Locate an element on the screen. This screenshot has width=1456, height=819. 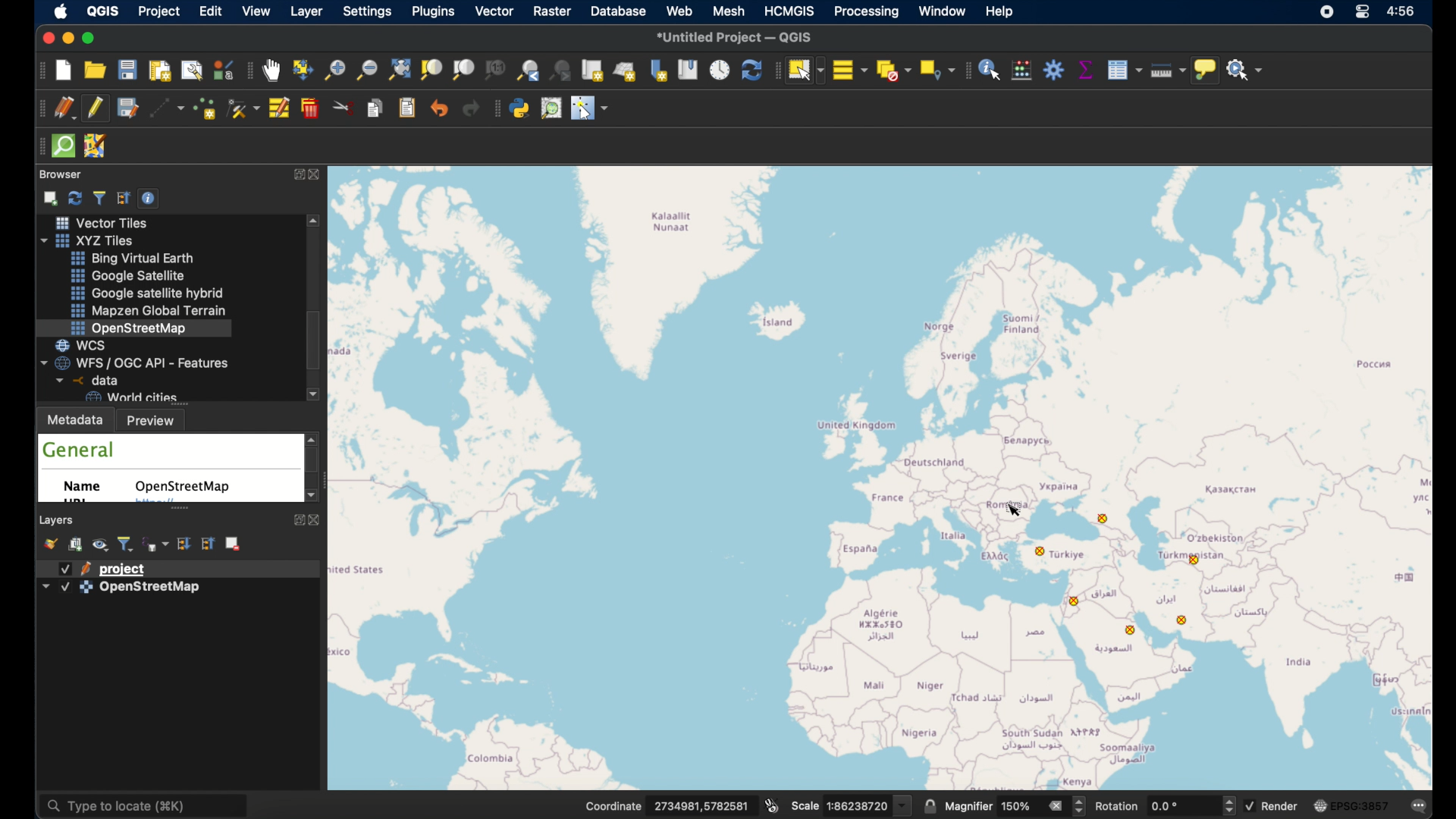
temporal controller panel is located at coordinates (720, 69).